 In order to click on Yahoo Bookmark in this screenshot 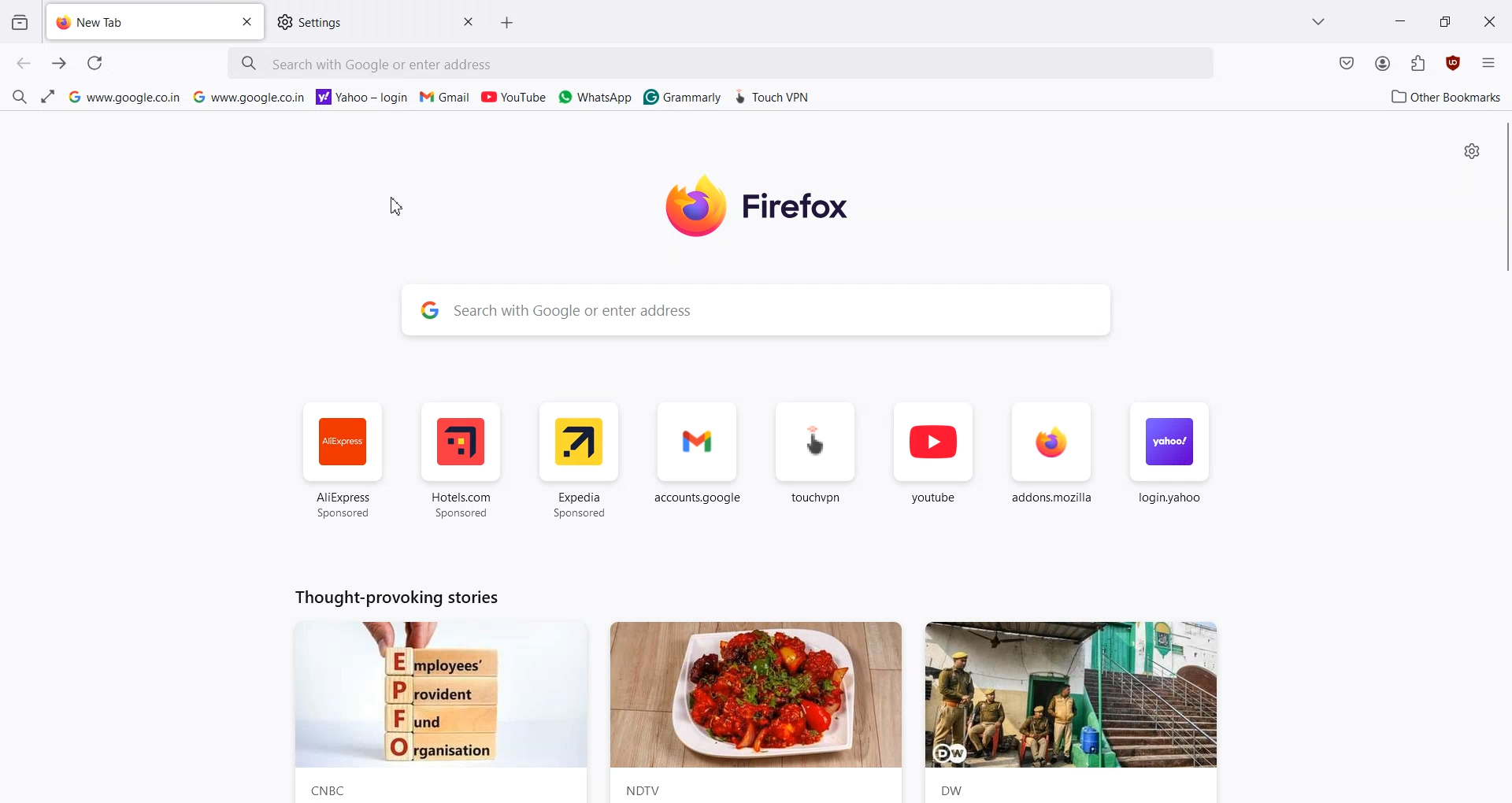, I will do `click(363, 95)`.